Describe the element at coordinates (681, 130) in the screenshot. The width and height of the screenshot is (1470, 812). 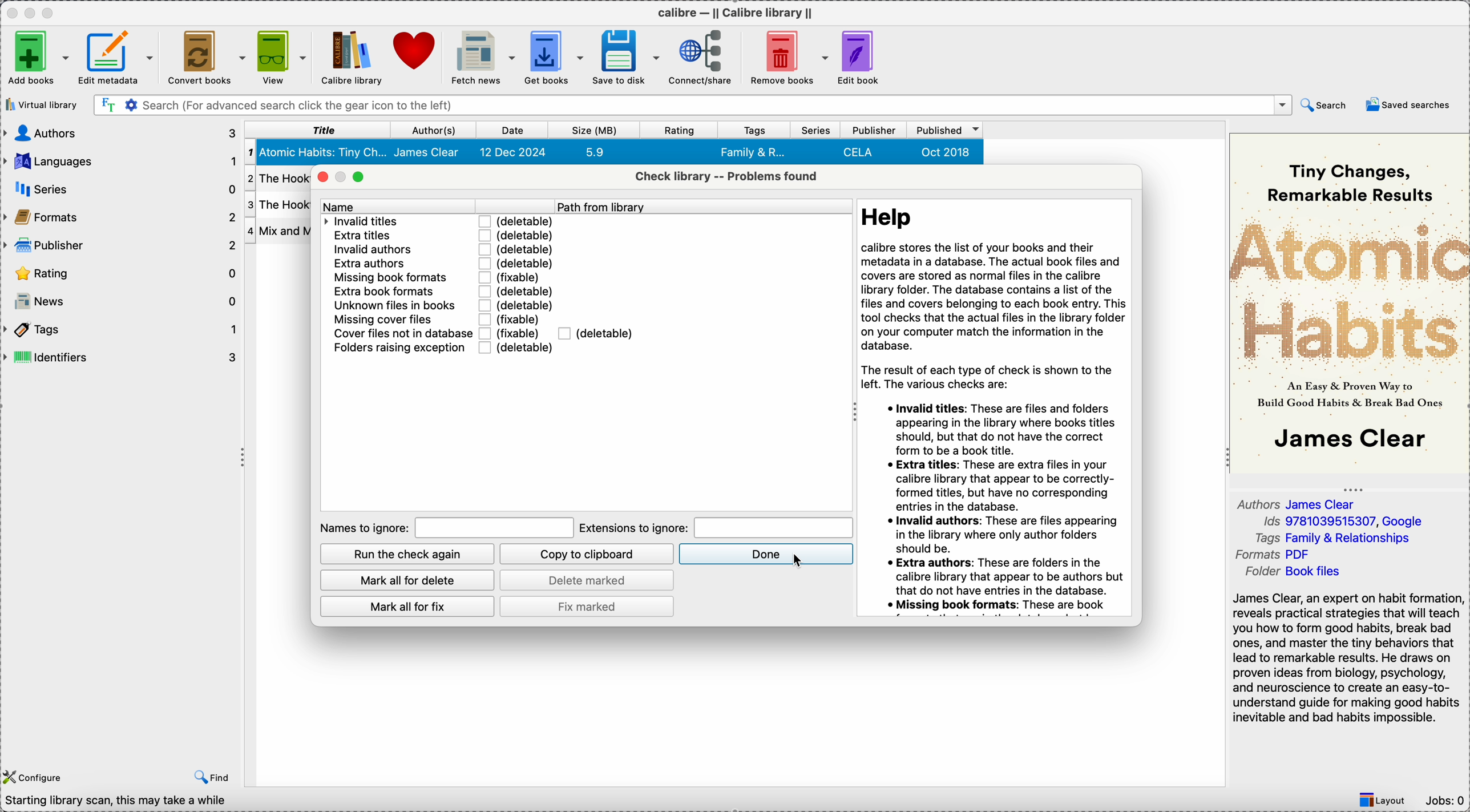
I see `rating` at that location.